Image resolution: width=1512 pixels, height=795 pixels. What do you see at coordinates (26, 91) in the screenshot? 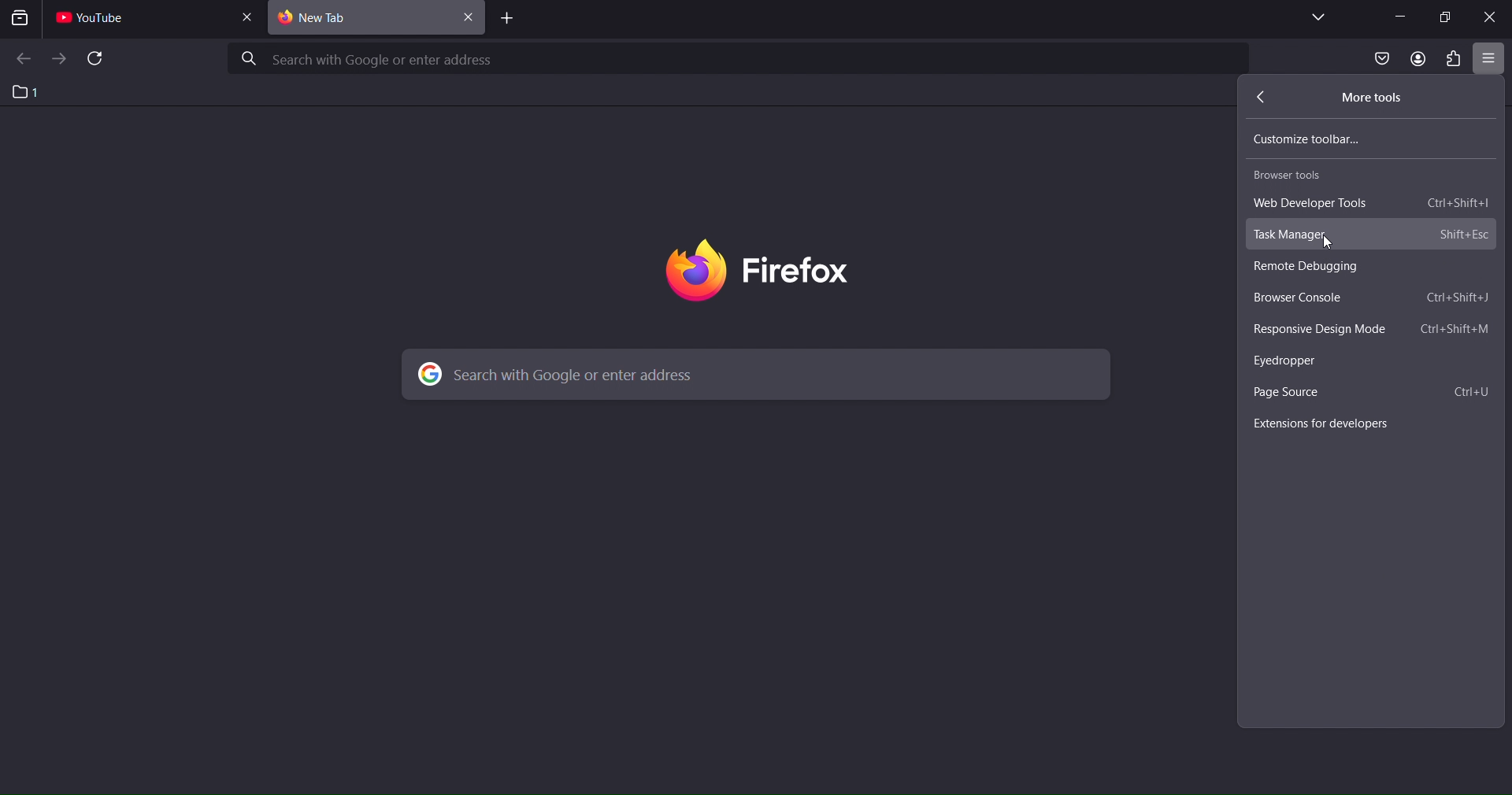
I see `1` at bounding box center [26, 91].